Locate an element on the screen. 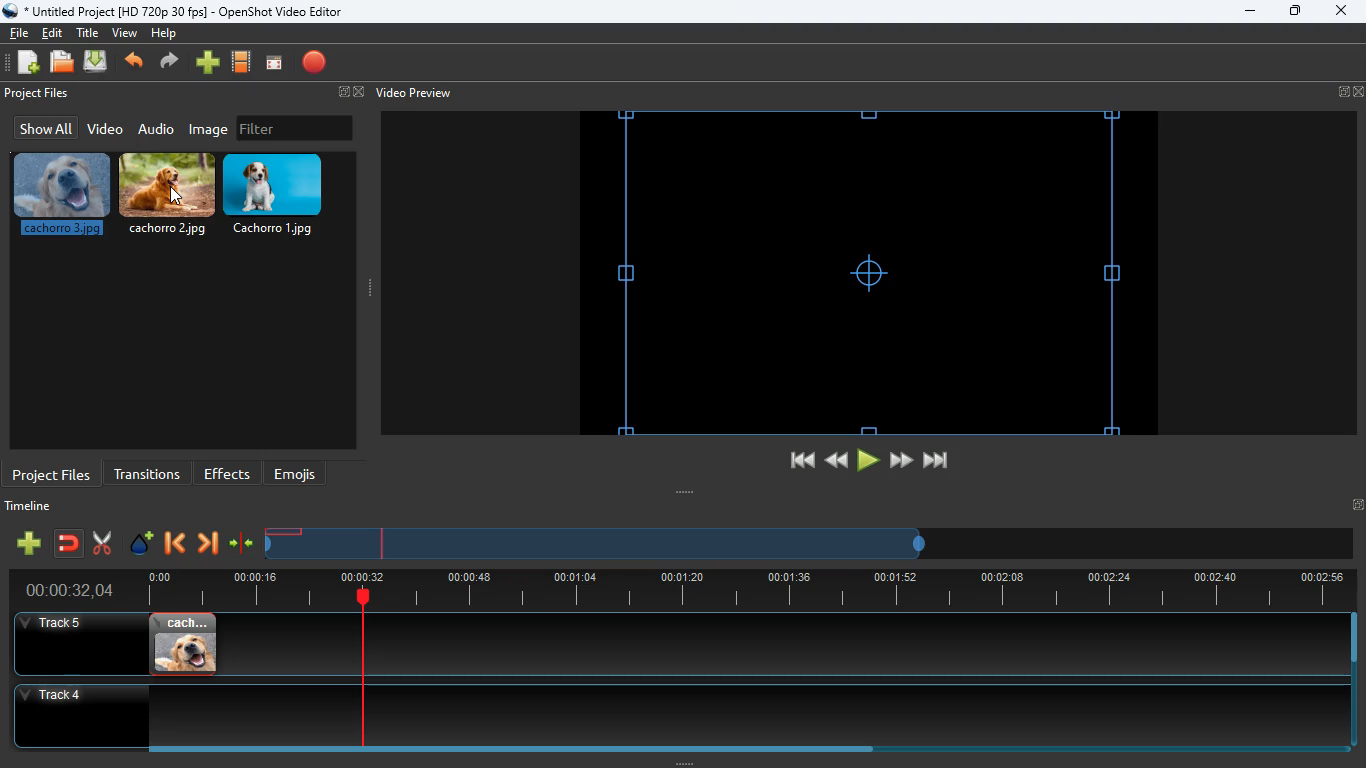  add is located at coordinates (208, 63).